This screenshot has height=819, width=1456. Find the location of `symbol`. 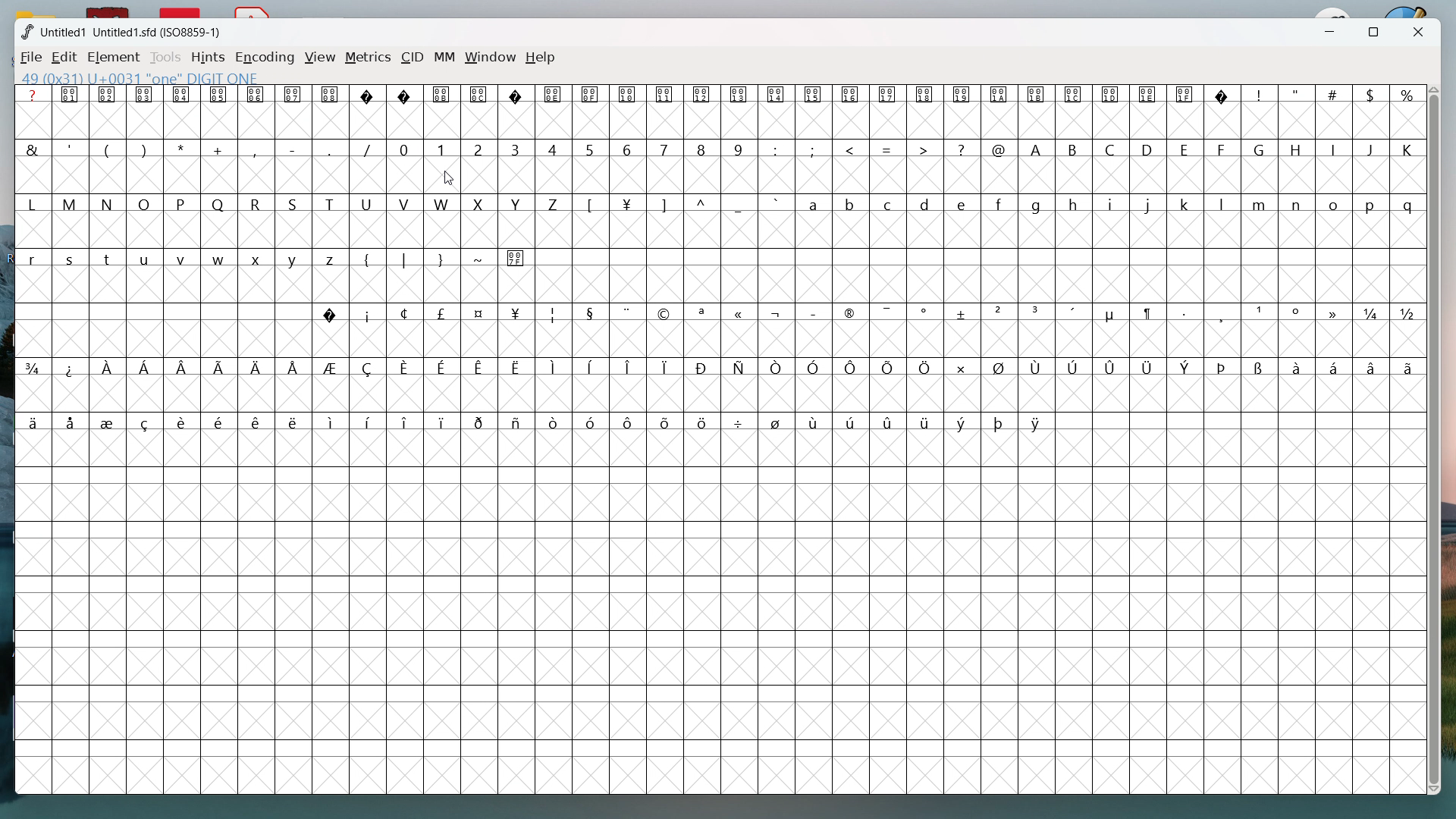

symbol is located at coordinates (594, 367).